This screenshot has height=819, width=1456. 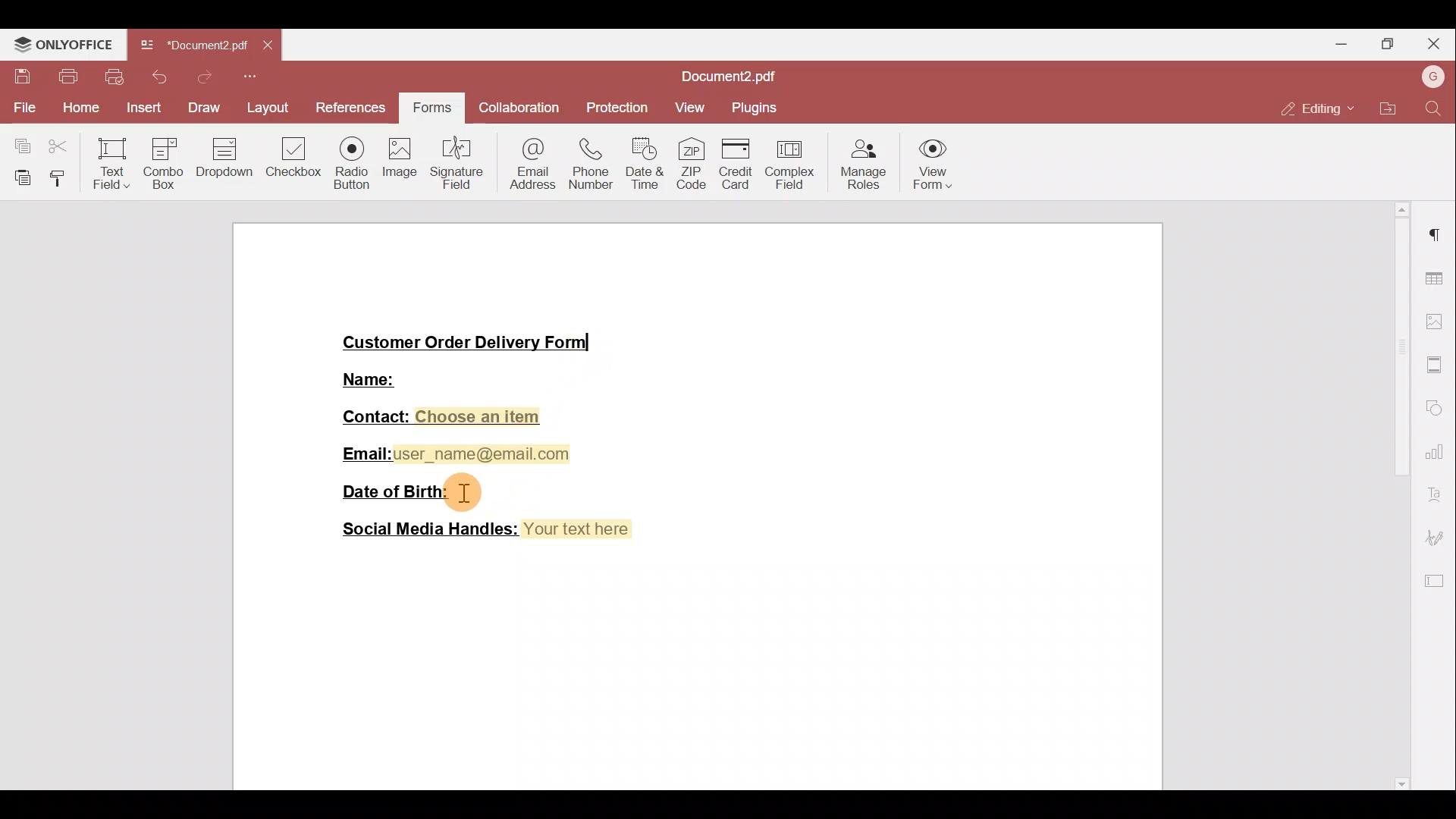 What do you see at coordinates (489, 530) in the screenshot?
I see `Social Media Handles: Your text here` at bounding box center [489, 530].